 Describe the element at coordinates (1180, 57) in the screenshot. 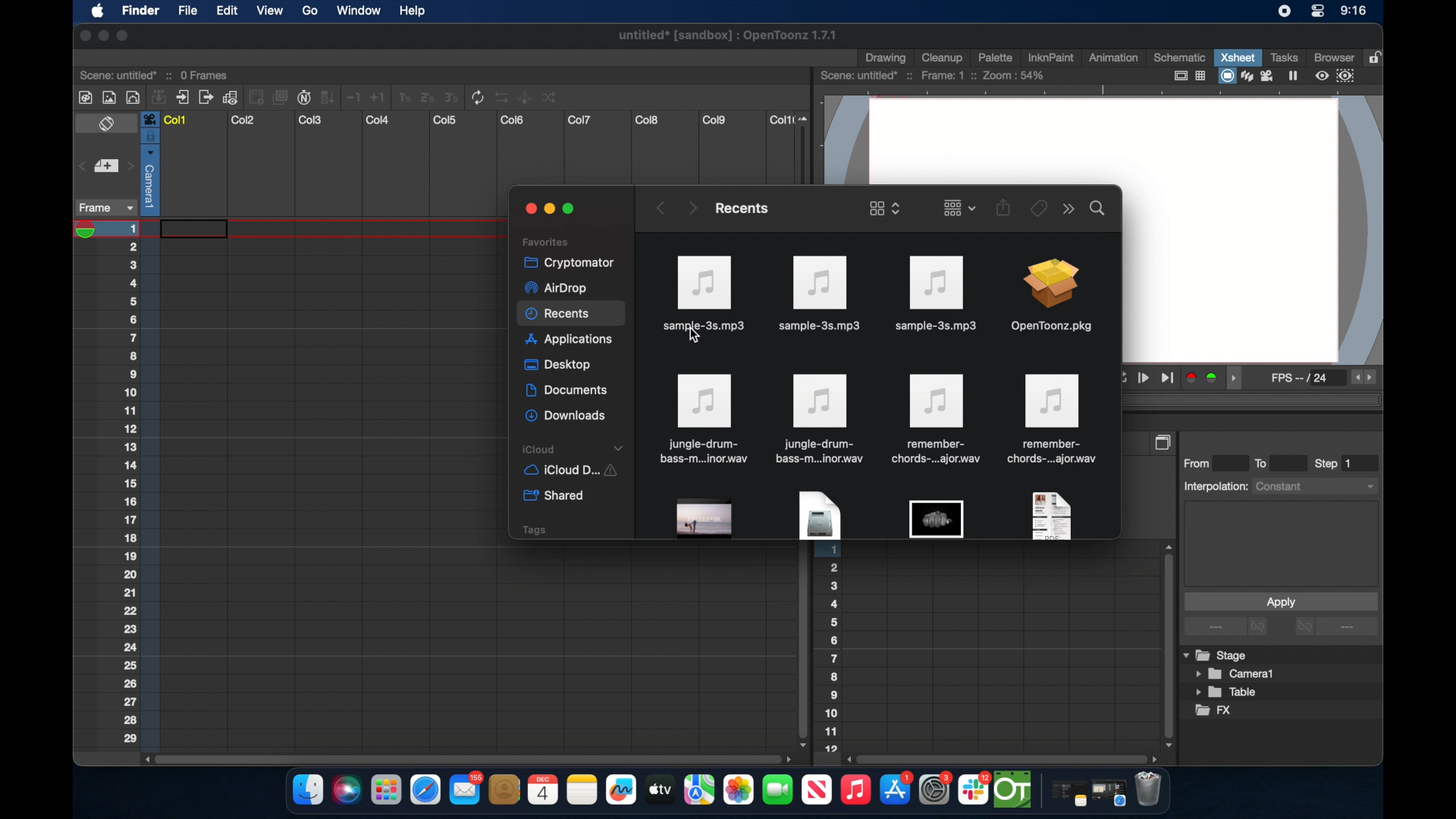

I see `schematic` at that location.